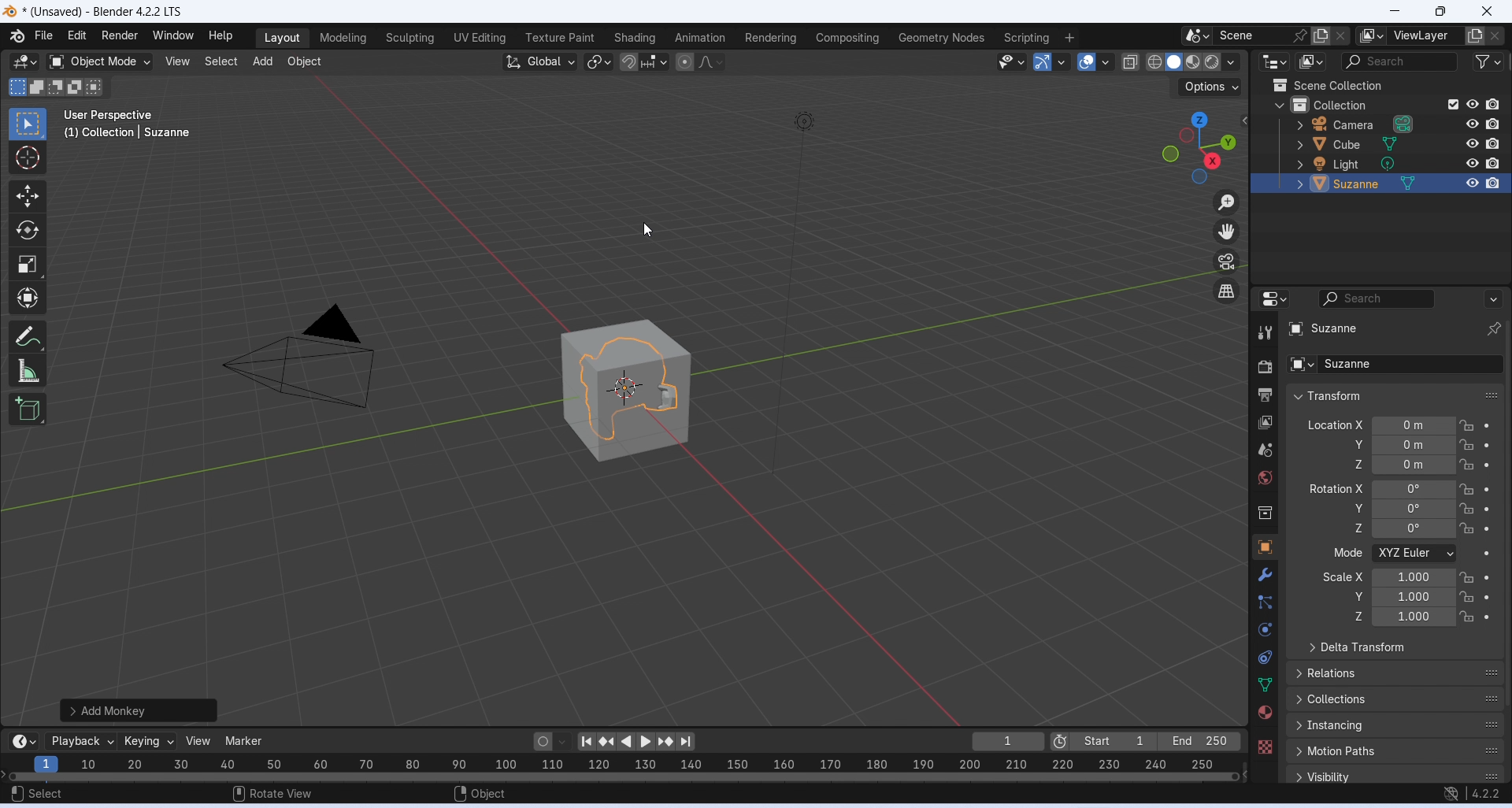  I want to click on show overlay, so click(1086, 61).